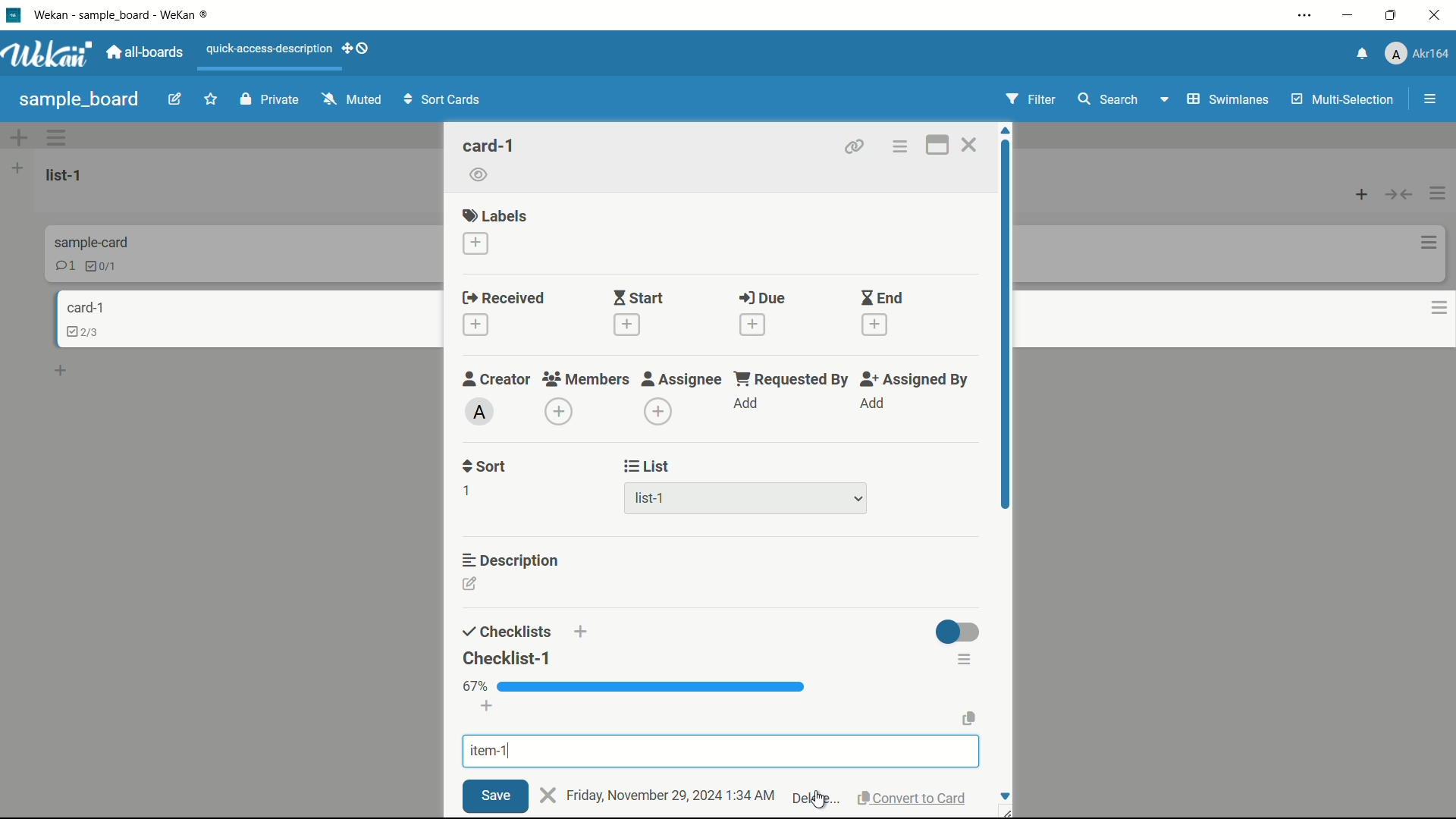 This screenshot has width=1456, height=819. Describe the element at coordinates (212, 98) in the screenshot. I see `favorites` at that location.